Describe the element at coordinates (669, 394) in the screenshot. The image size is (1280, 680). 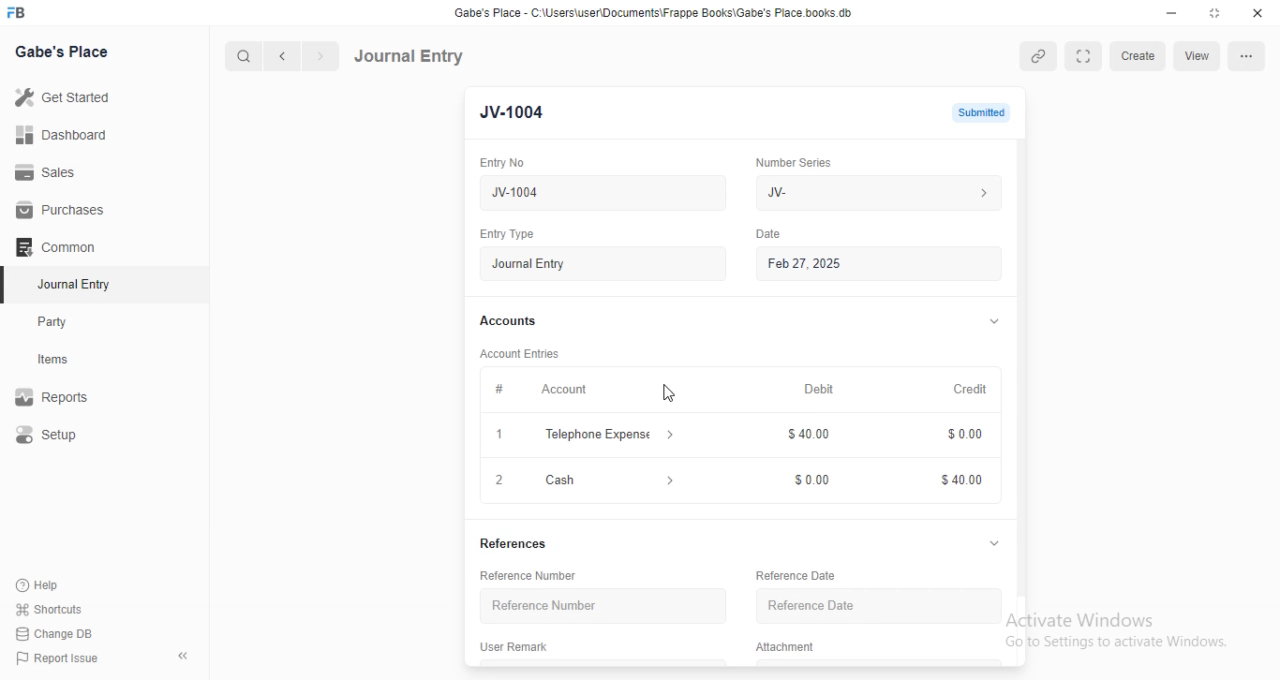
I see `cursor` at that location.